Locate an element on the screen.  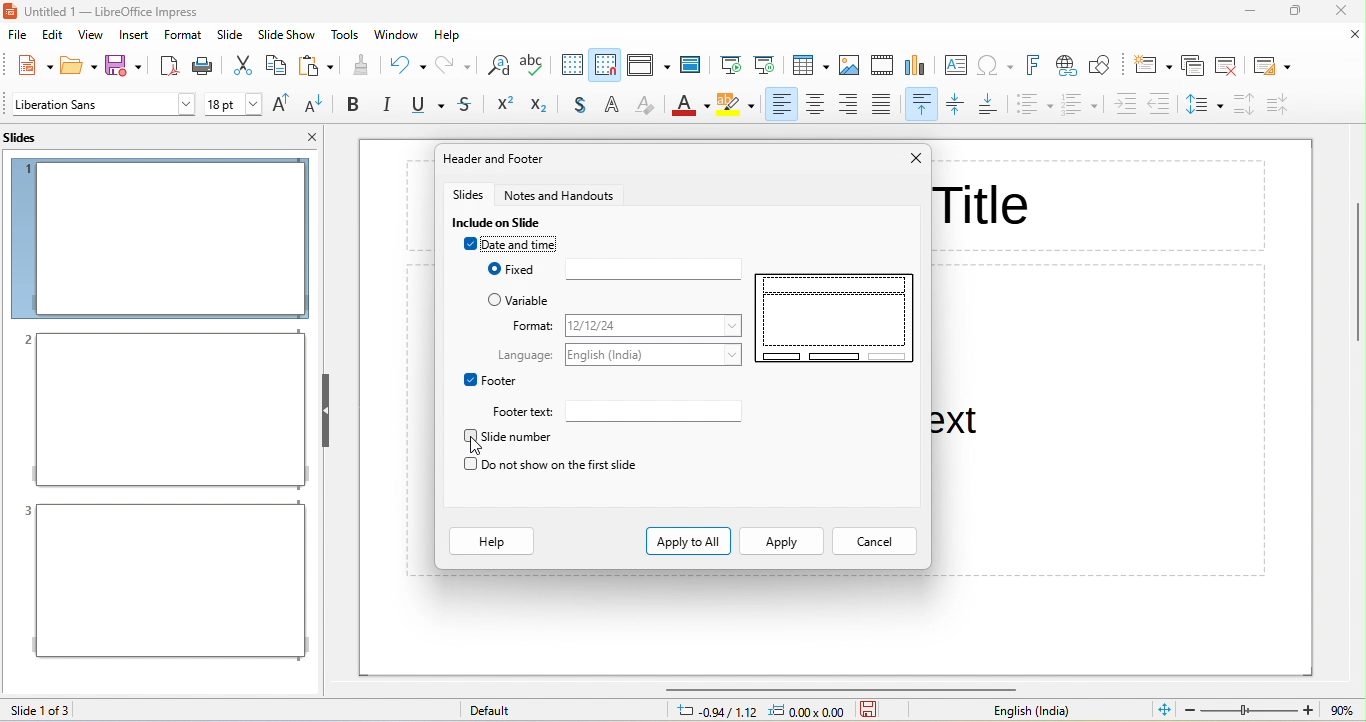
text is located at coordinates (525, 411).